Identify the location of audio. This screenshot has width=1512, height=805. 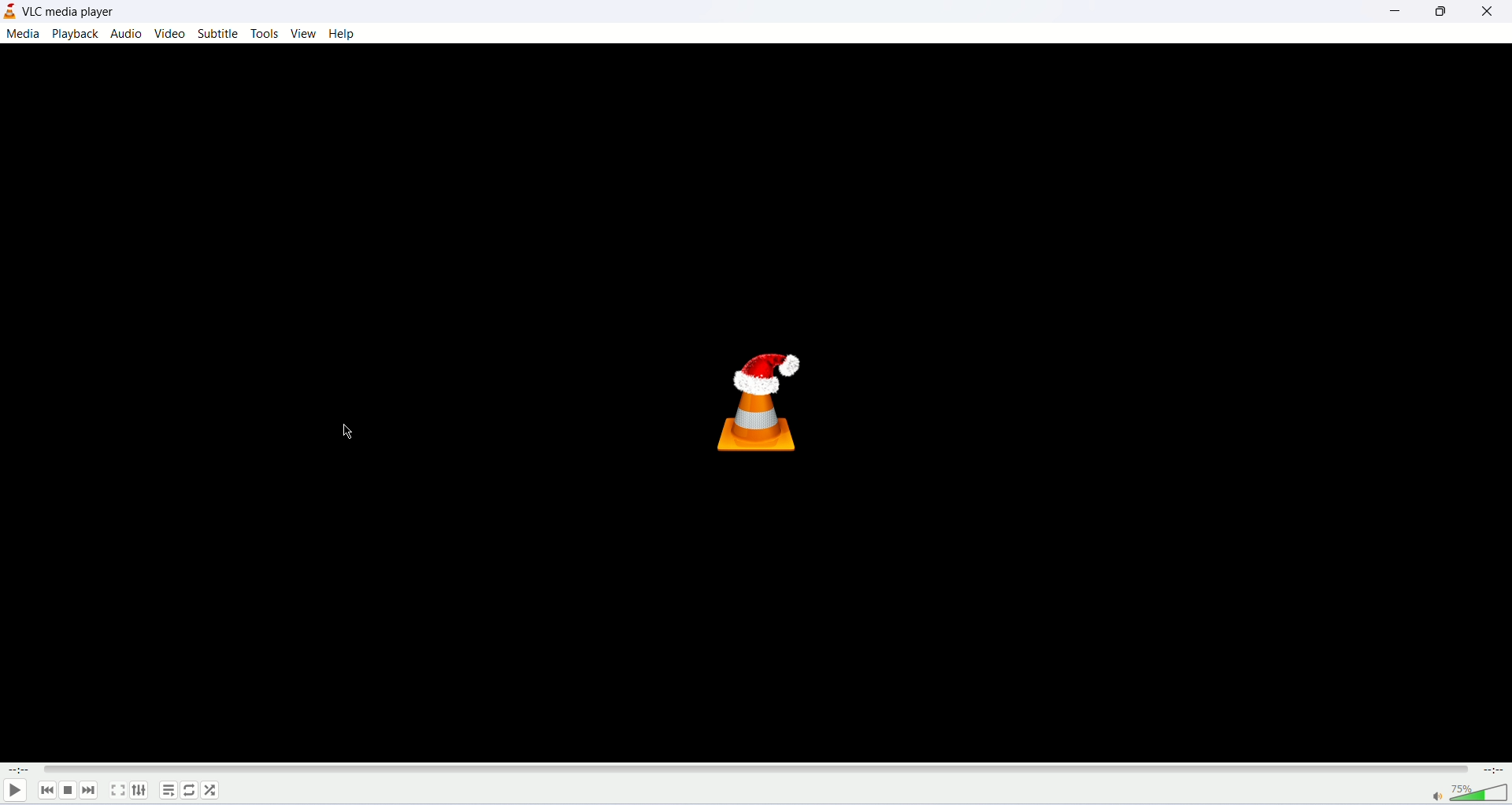
(127, 32).